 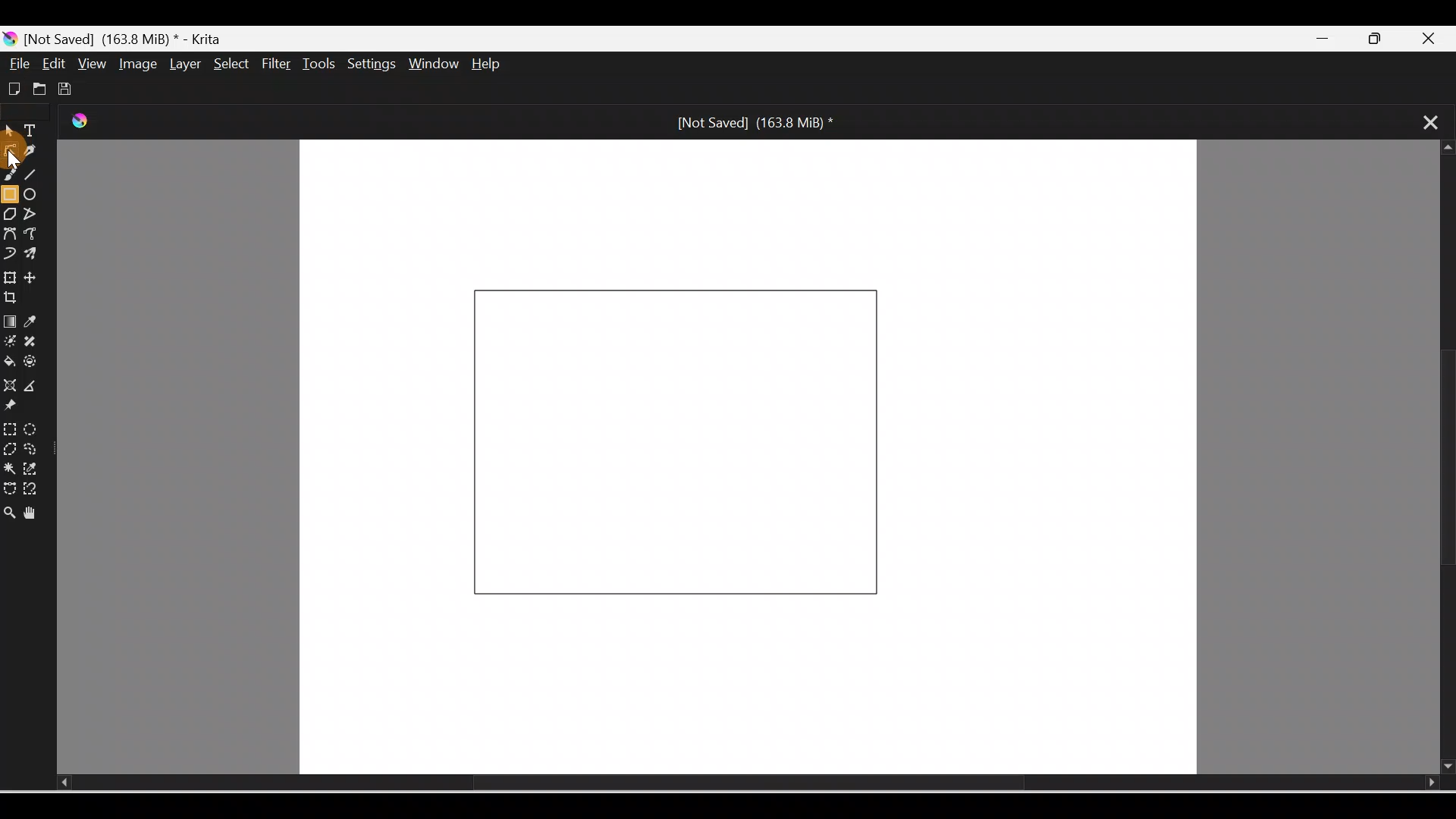 What do you see at coordinates (499, 65) in the screenshot?
I see `Help` at bounding box center [499, 65].